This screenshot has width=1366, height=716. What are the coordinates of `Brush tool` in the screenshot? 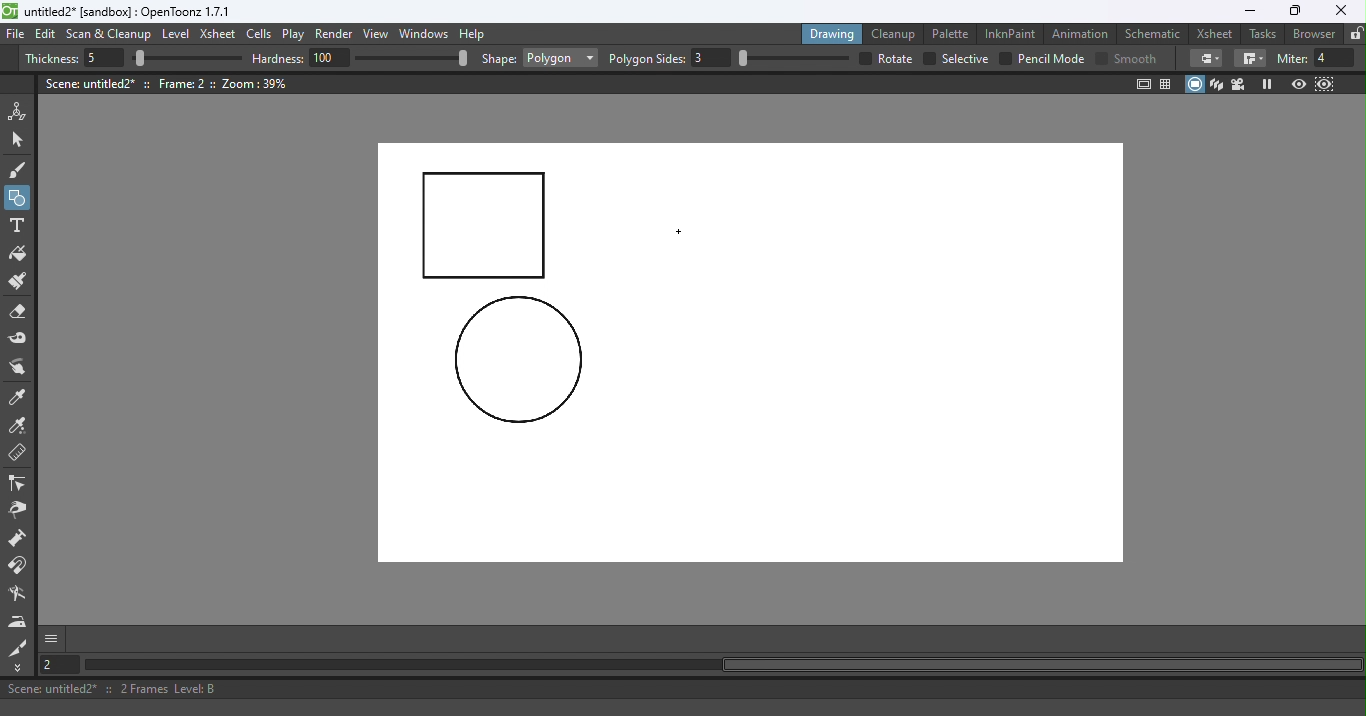 It's located at (22, 169).